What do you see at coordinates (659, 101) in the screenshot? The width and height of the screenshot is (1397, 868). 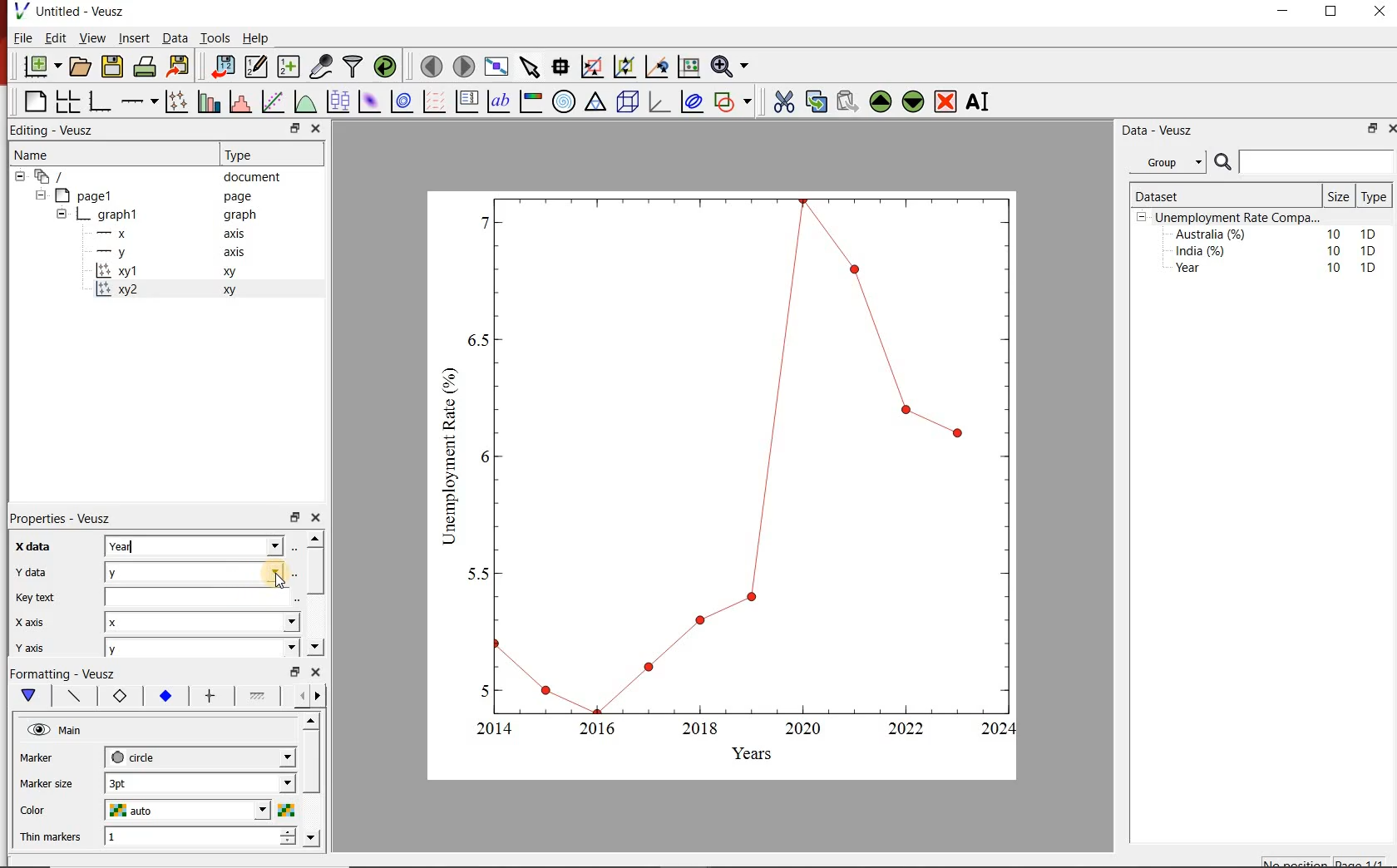 I see `3d graphs` at bounding box center [659, 101].